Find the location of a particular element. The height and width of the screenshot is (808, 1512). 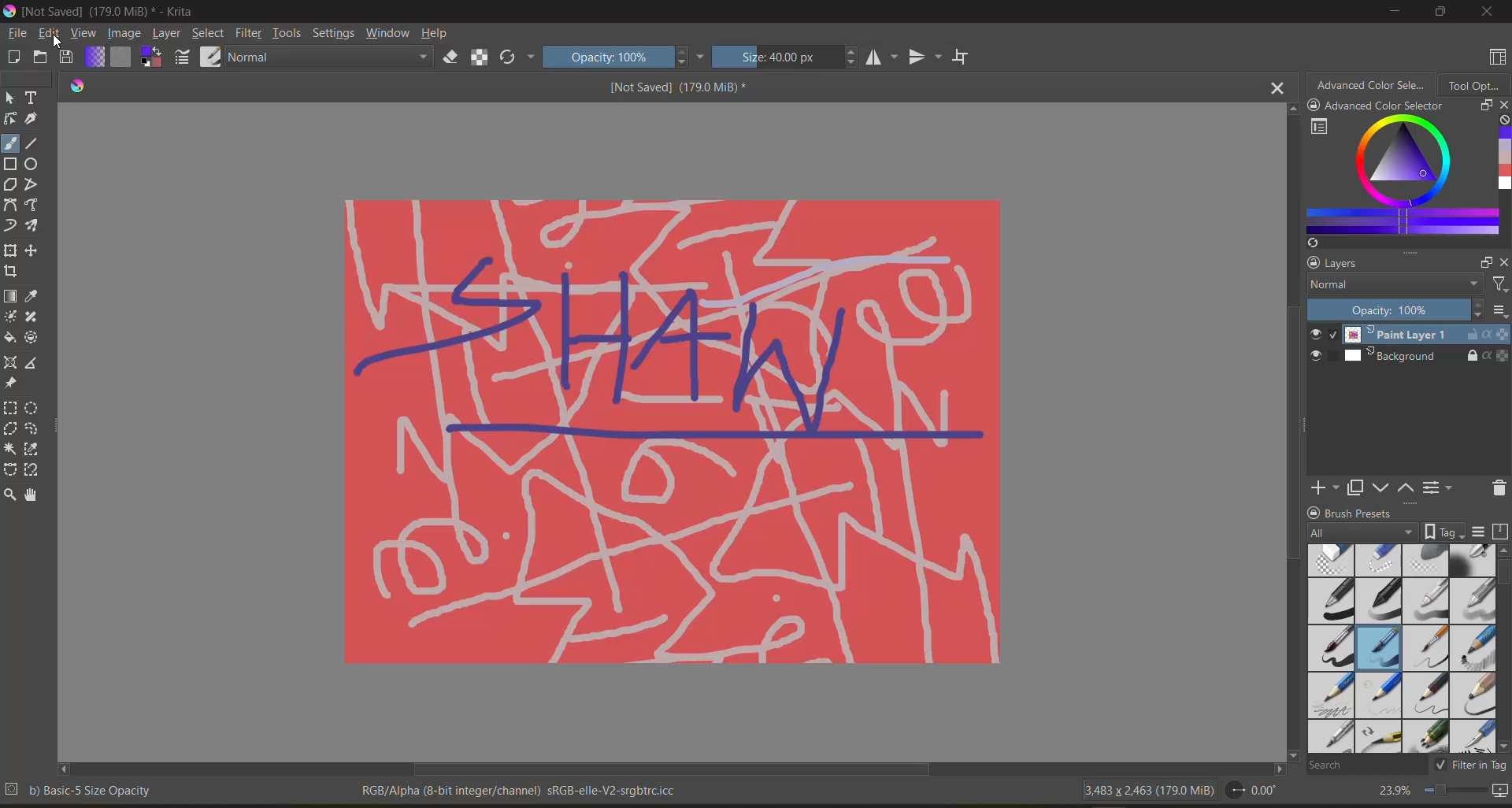

advanced color selctor is located at coordinates (1377, 105).